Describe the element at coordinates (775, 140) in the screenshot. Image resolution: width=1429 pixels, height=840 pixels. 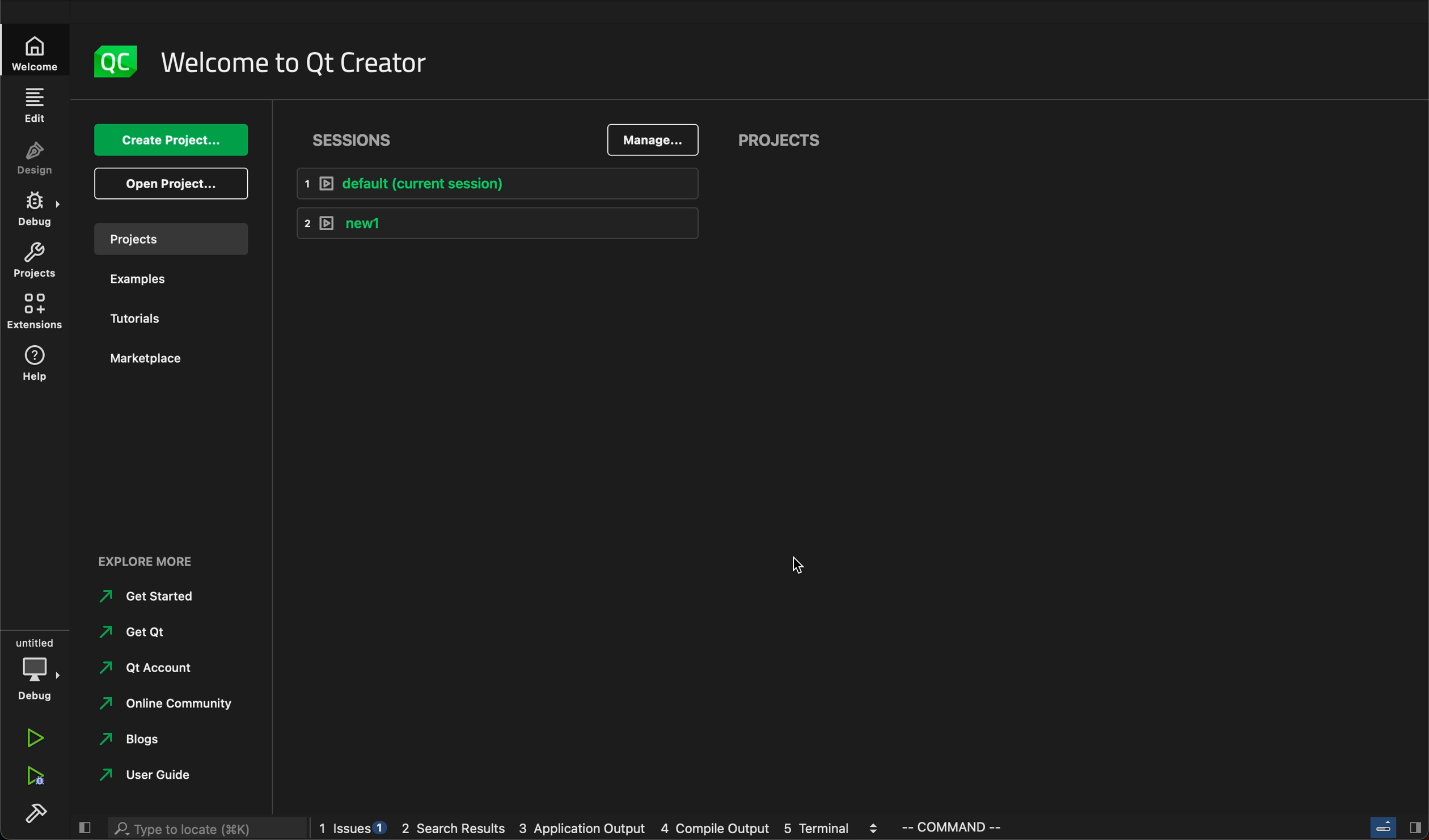
I see `projects` at that location.